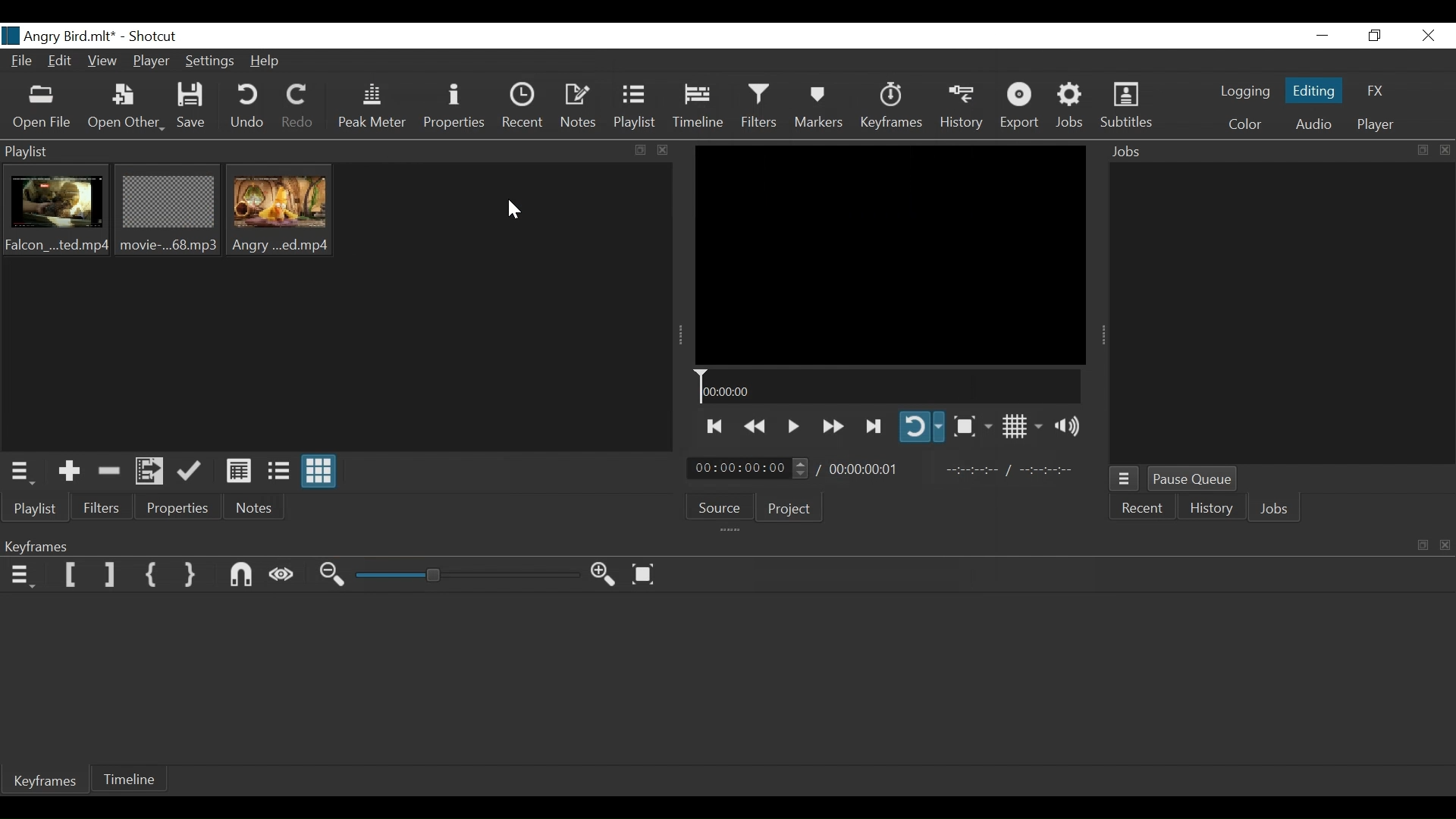 The width and height of the screenshot is (1456, 819). Describe the element at coordinates (972, 427) in the screenshot. I see `Toggle Zoom` at that location.